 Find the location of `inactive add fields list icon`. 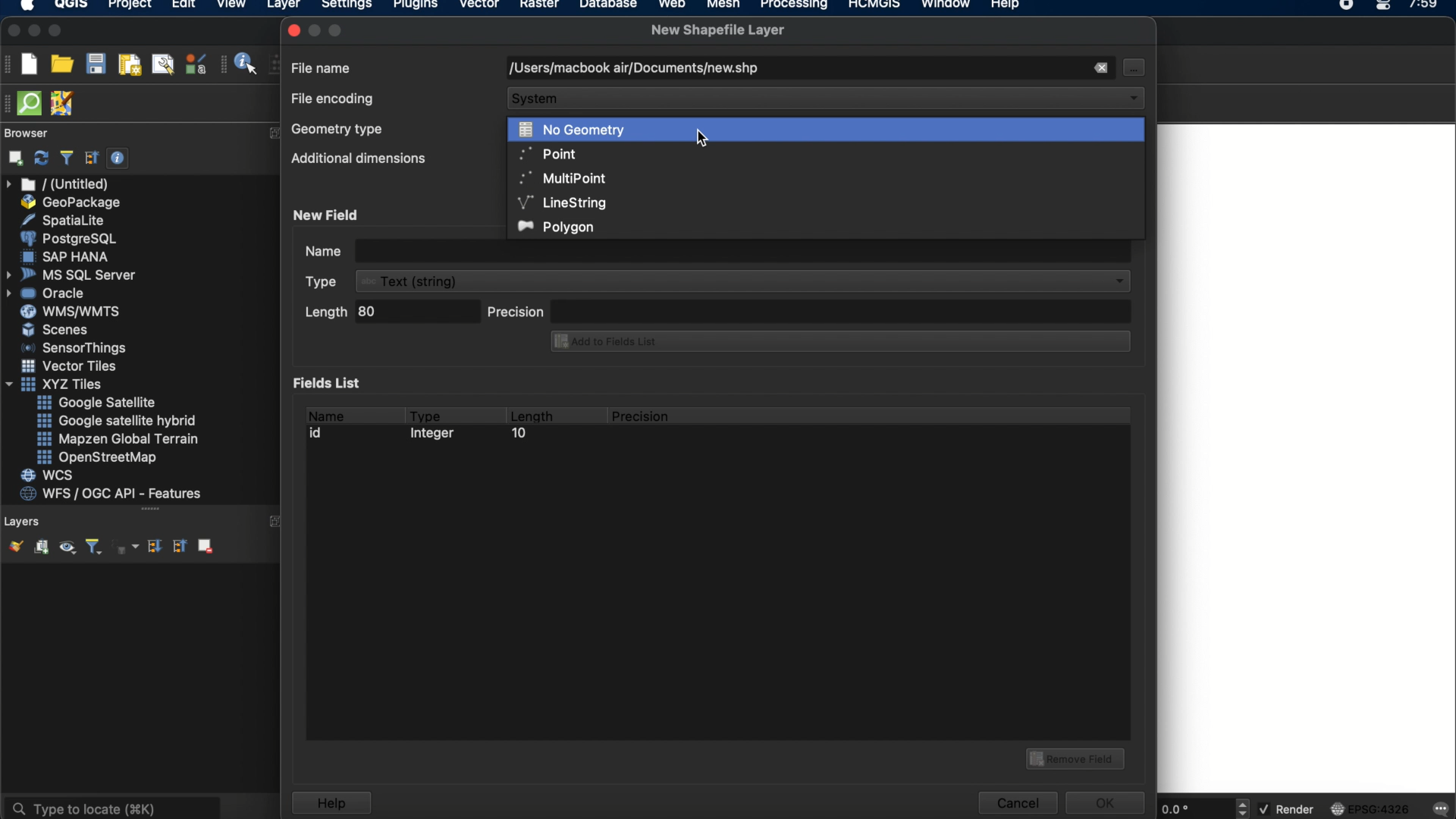

inactive add fields list icon is located at coordinates (838, 343).